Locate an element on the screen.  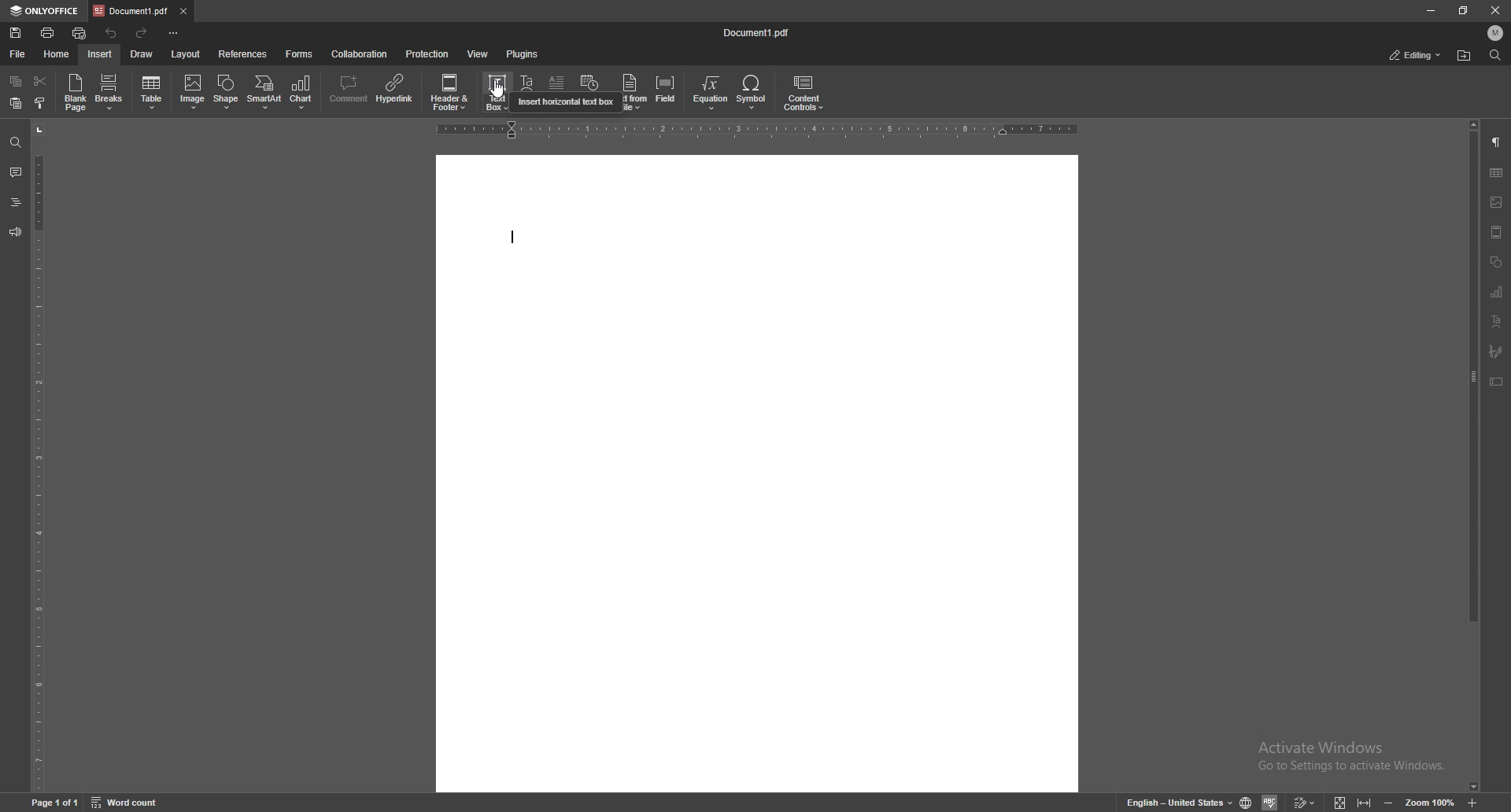
minimize is located at coordinates (1431, 10).